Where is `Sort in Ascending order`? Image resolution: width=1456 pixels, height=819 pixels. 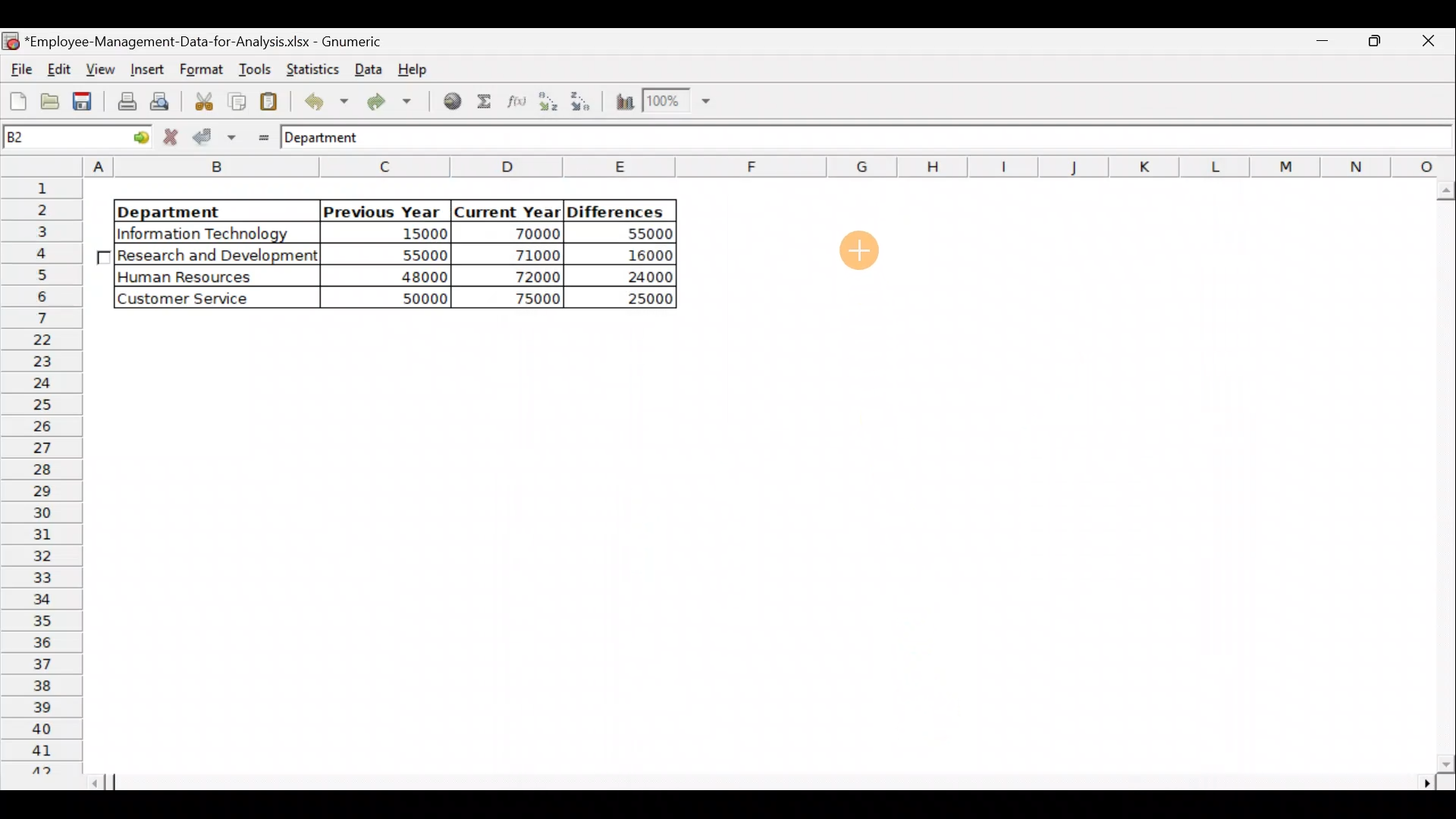
Sort in Ascending order is located at coordinates (548, 101).